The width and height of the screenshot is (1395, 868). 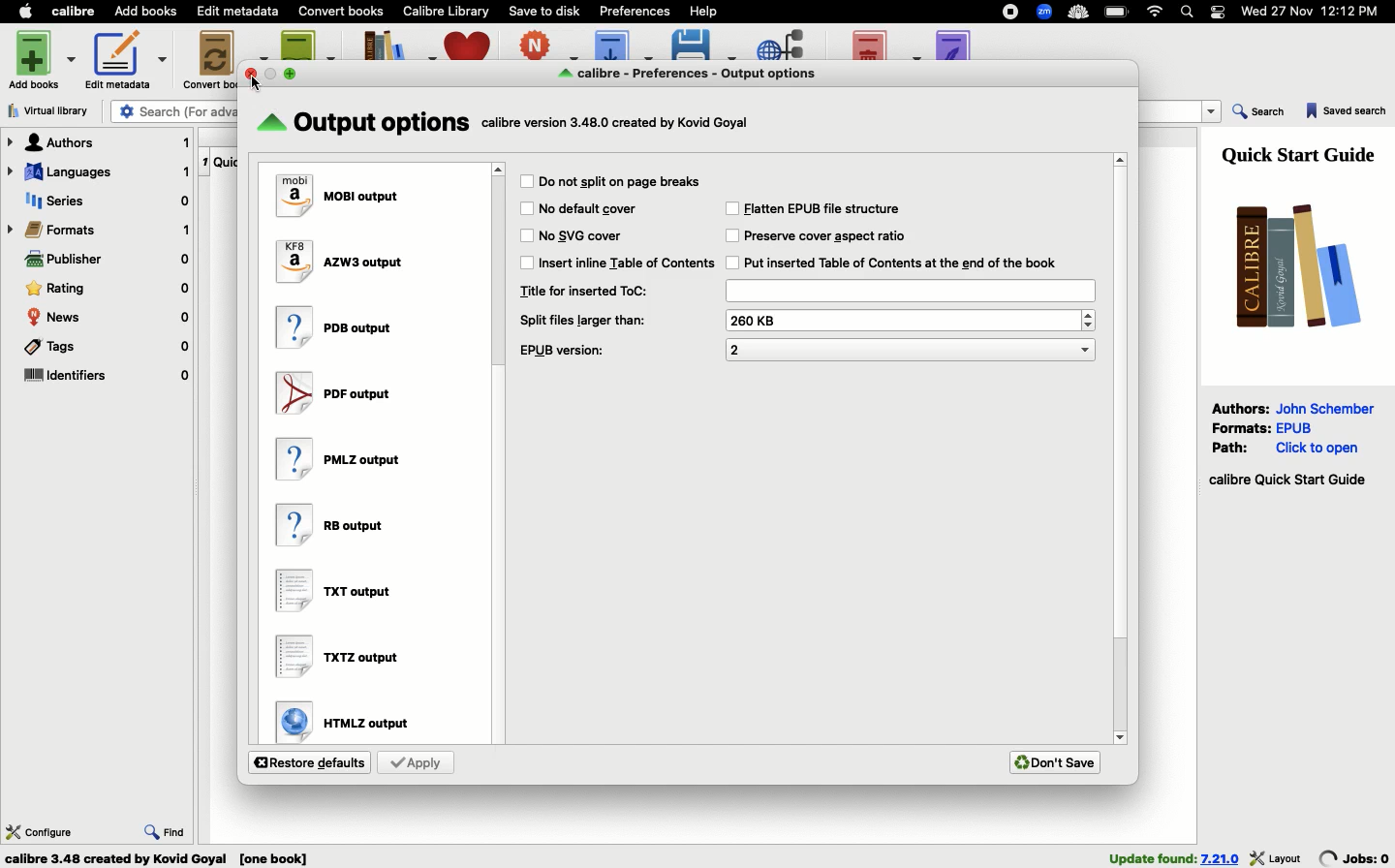 I want to click on Search bar, so click(x=1189, y=13).